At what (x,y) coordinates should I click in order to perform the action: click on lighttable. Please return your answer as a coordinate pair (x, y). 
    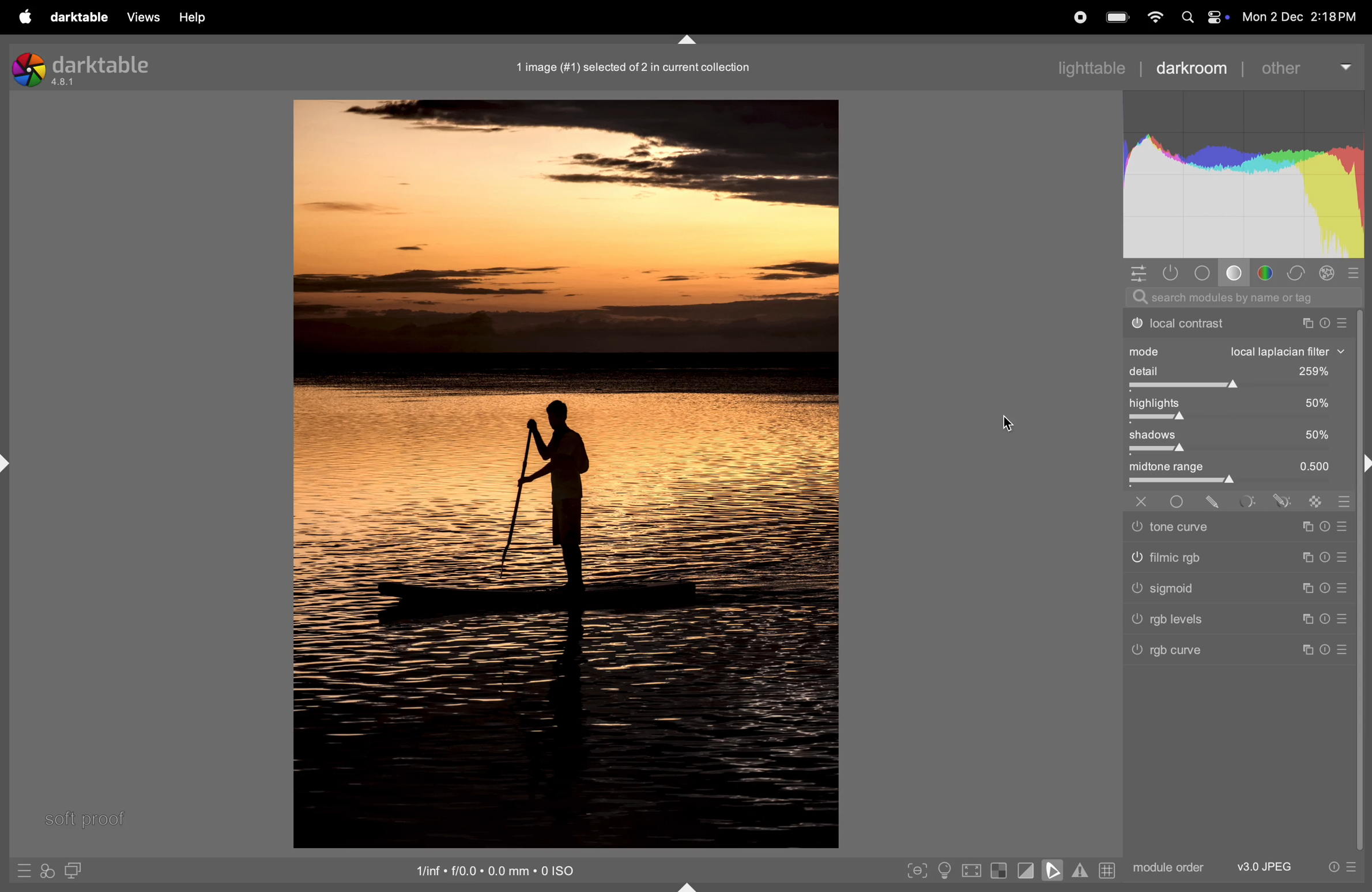
    Looking at the image, I should click on (1092, 67).